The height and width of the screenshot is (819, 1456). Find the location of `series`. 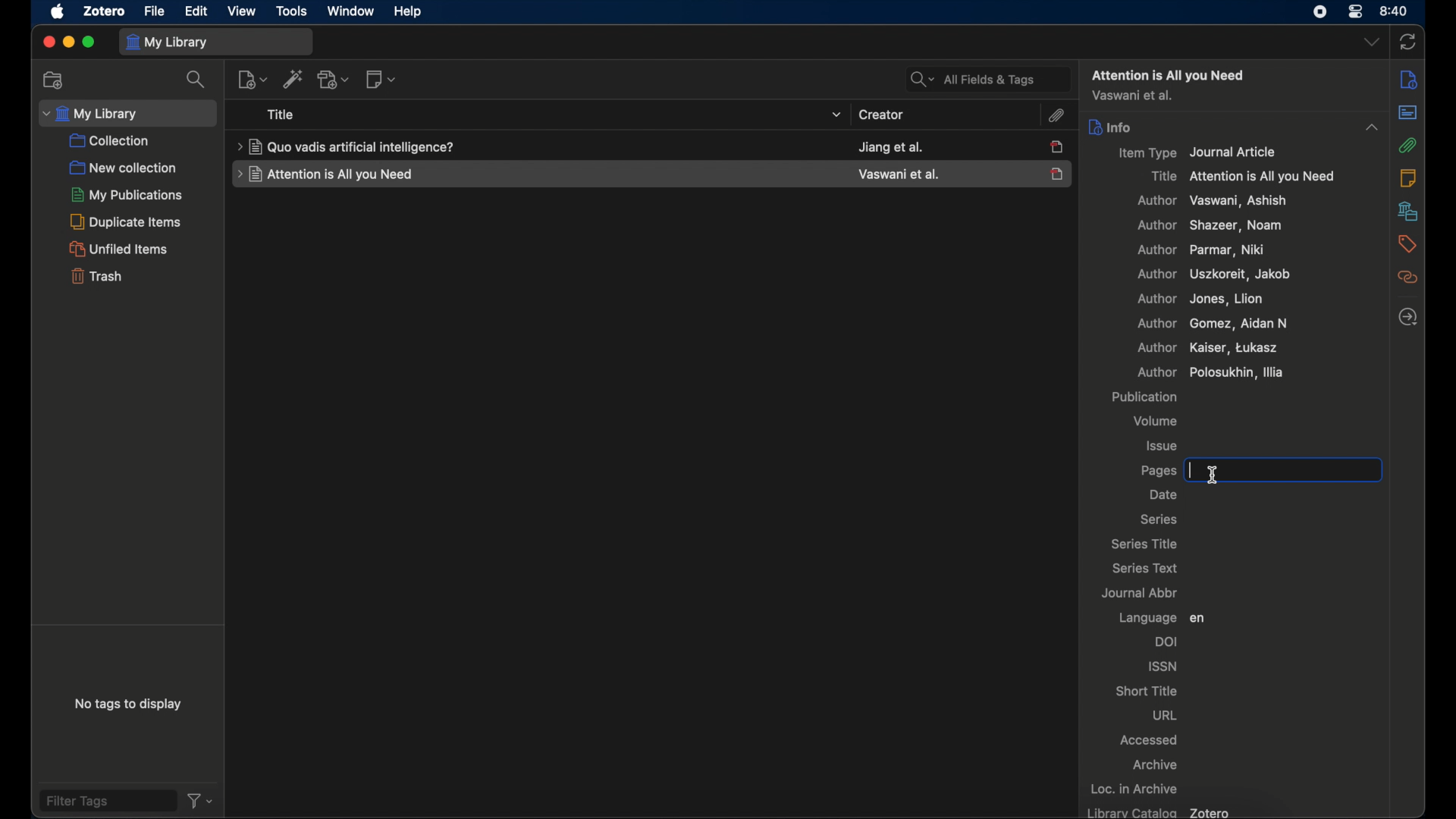

series is located at coordinates (1160, 519).